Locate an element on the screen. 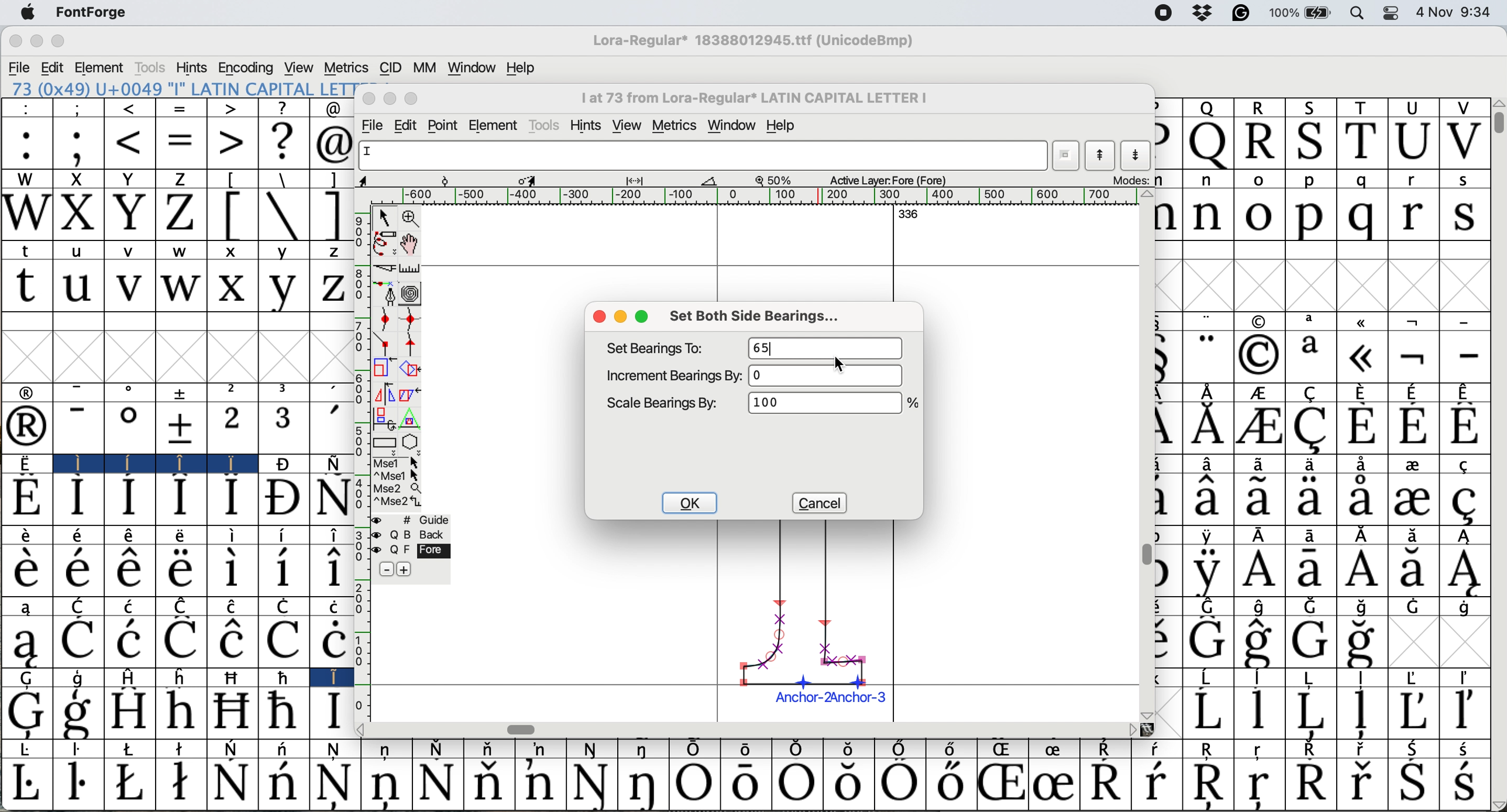 This screenshot has width=1507, height=812. Symbol is located at coordinates (1207, 642).